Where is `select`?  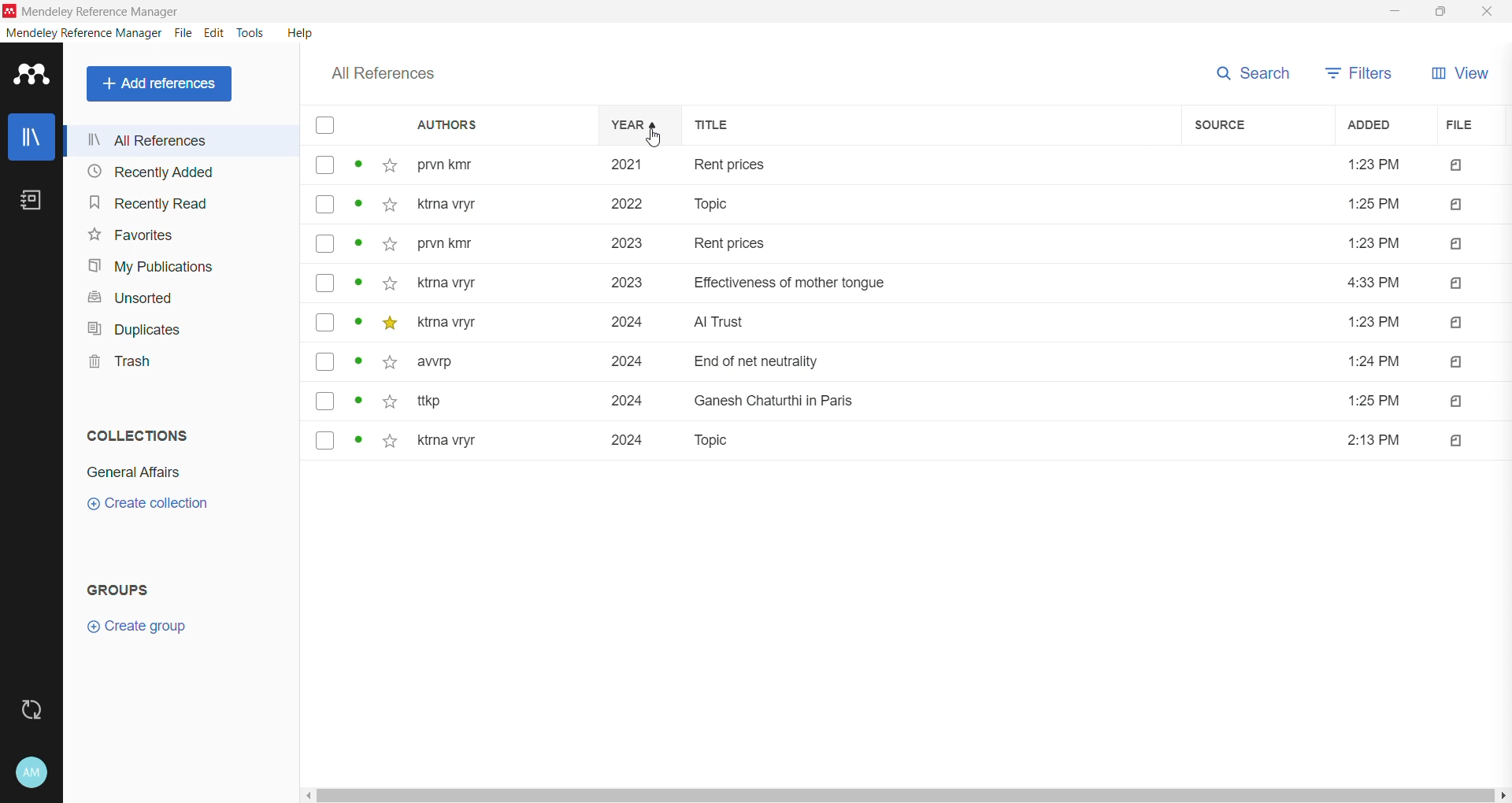
select is located at coordinates (325, 361).